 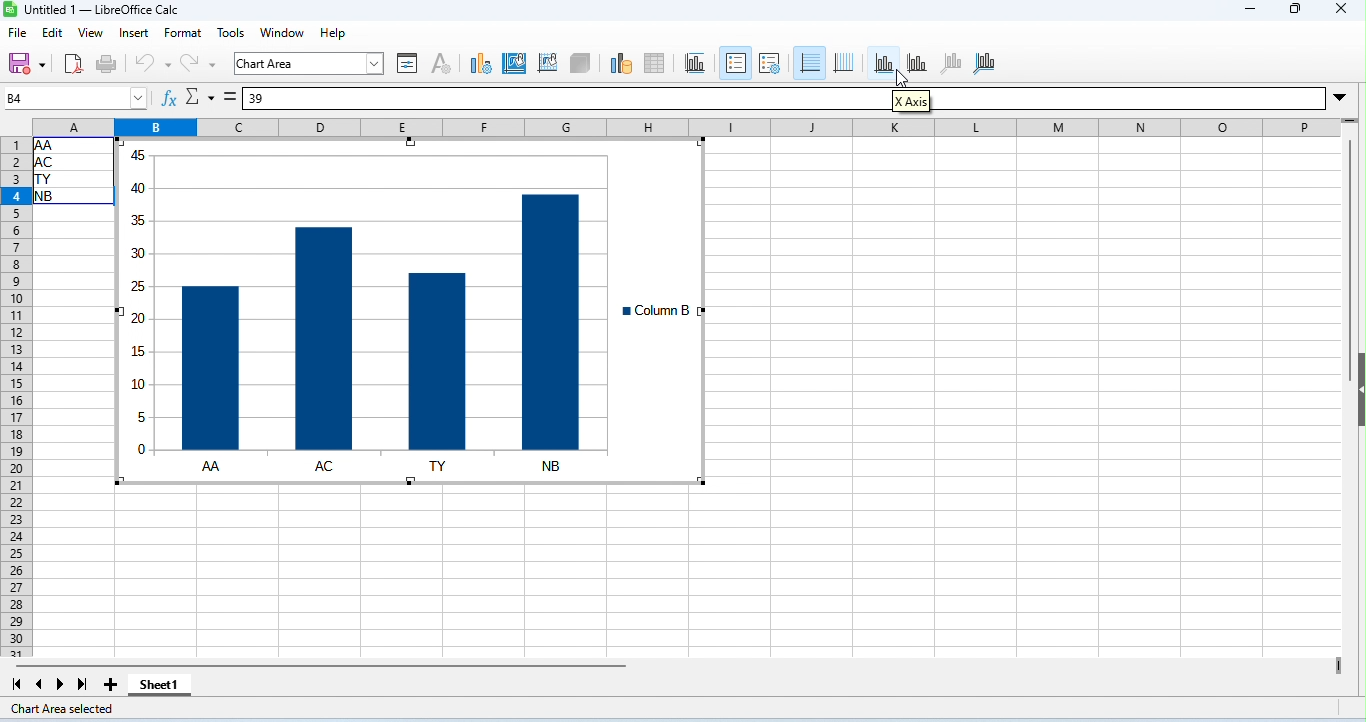 What do you see at coordinates (200, 97) in the screenshot?
I see `select function` at bounding box center [200, 97].